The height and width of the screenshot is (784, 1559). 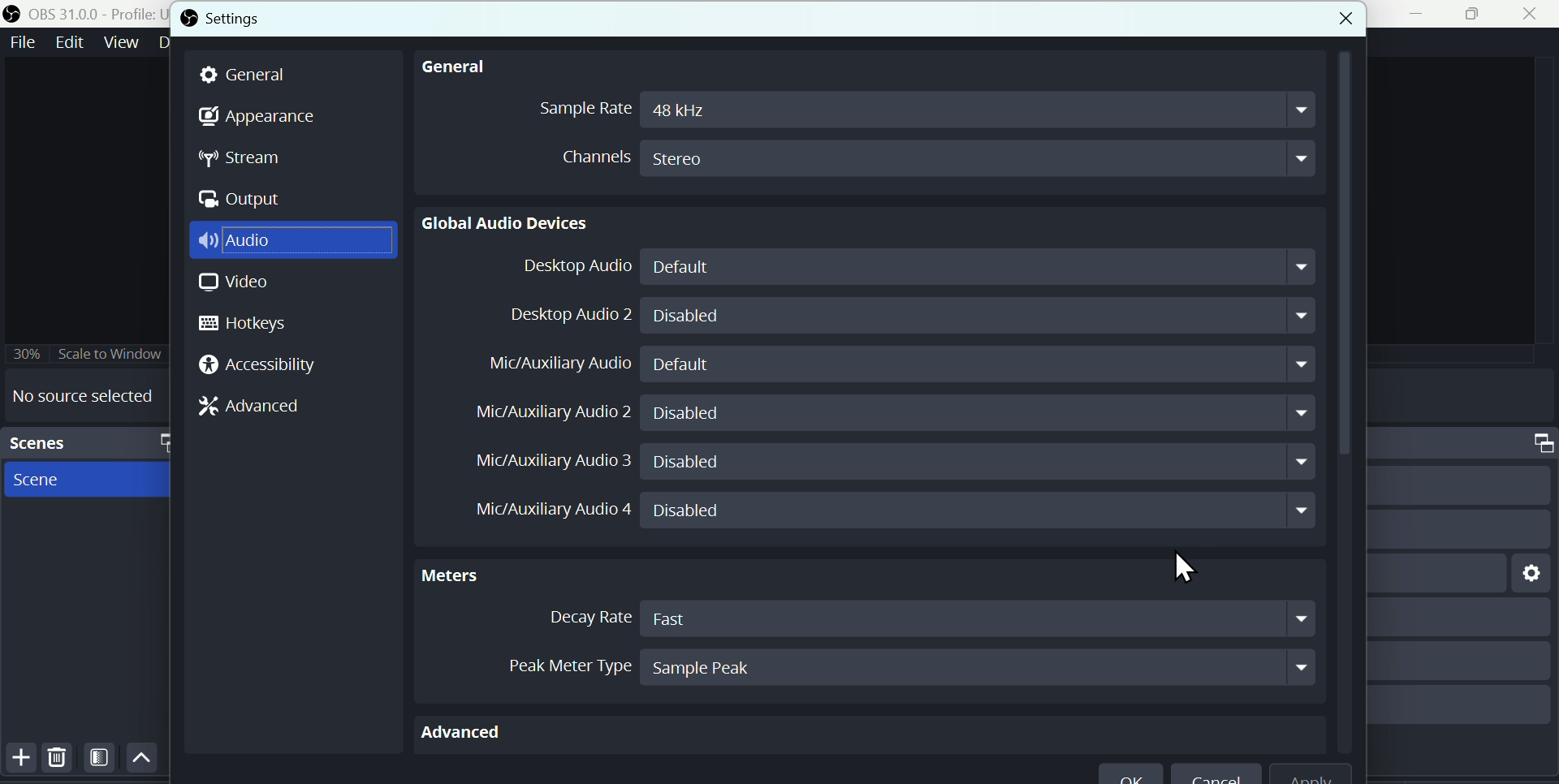 I want to click on Advanced, so click(x=257, y=405).